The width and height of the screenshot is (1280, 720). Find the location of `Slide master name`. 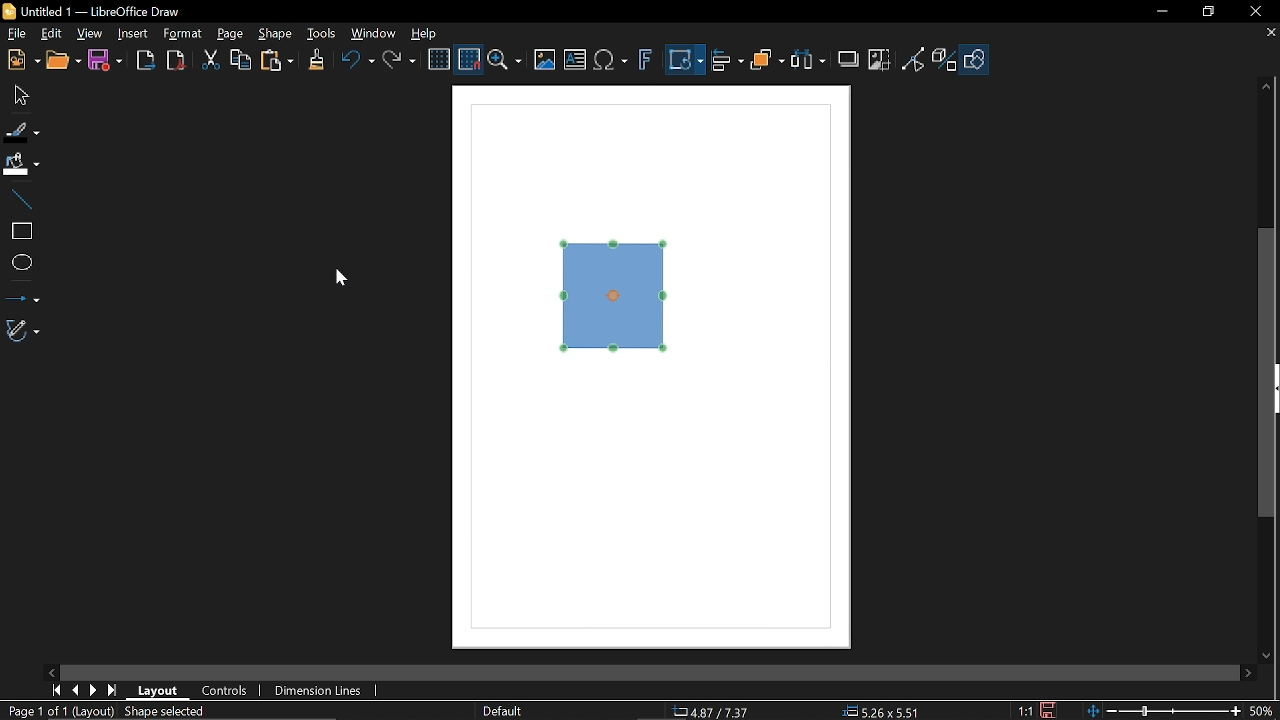

Slide master name is located at coordinates (503, 709).